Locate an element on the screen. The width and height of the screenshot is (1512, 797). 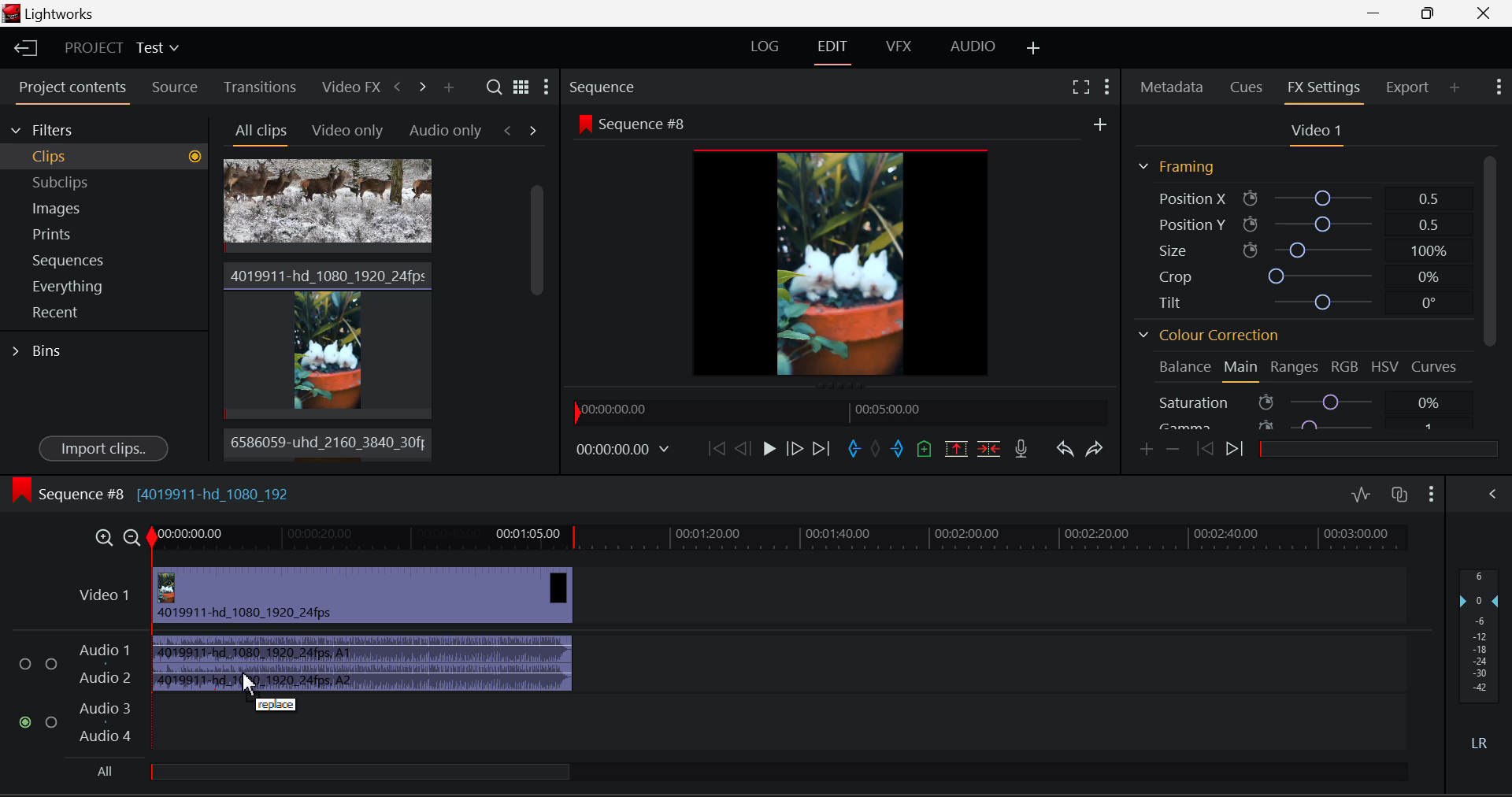
Toggle between list and title view is located at coordinates (521, 86).